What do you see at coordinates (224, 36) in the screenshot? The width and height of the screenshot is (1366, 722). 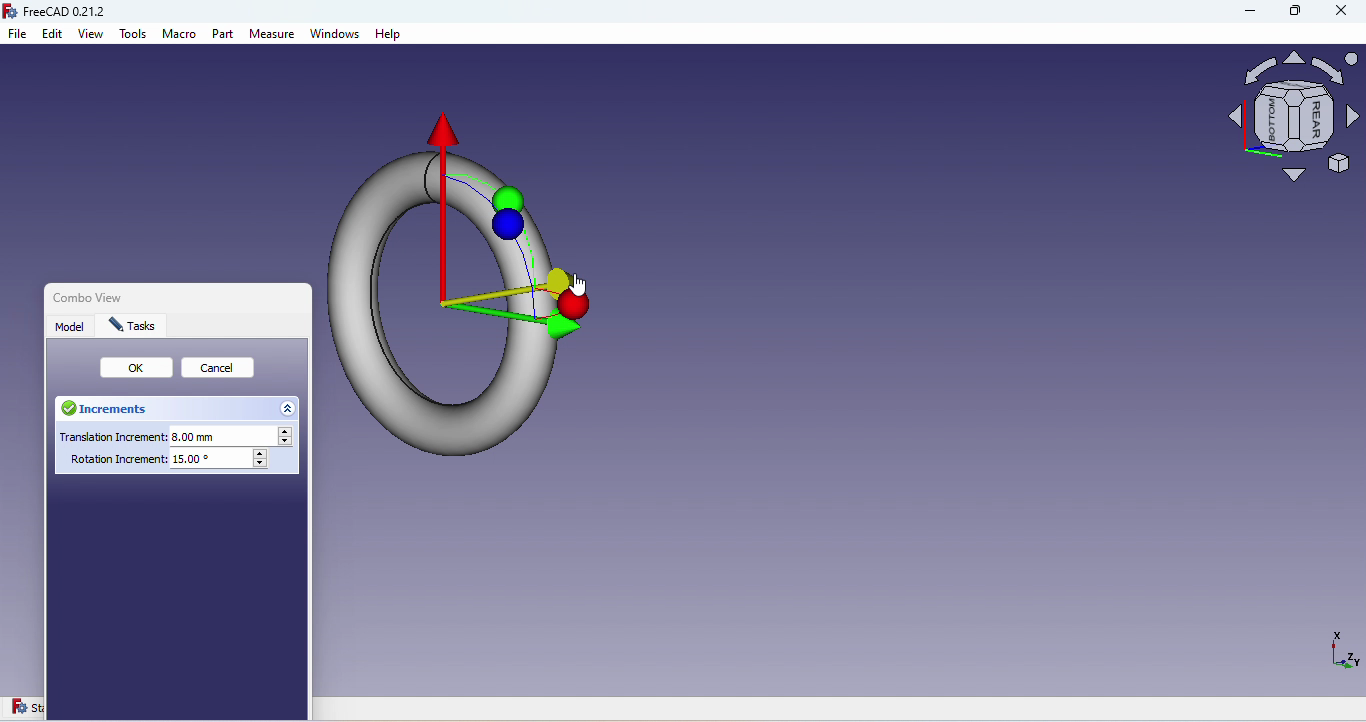 I see `Part` at bounding box center [224, 36].